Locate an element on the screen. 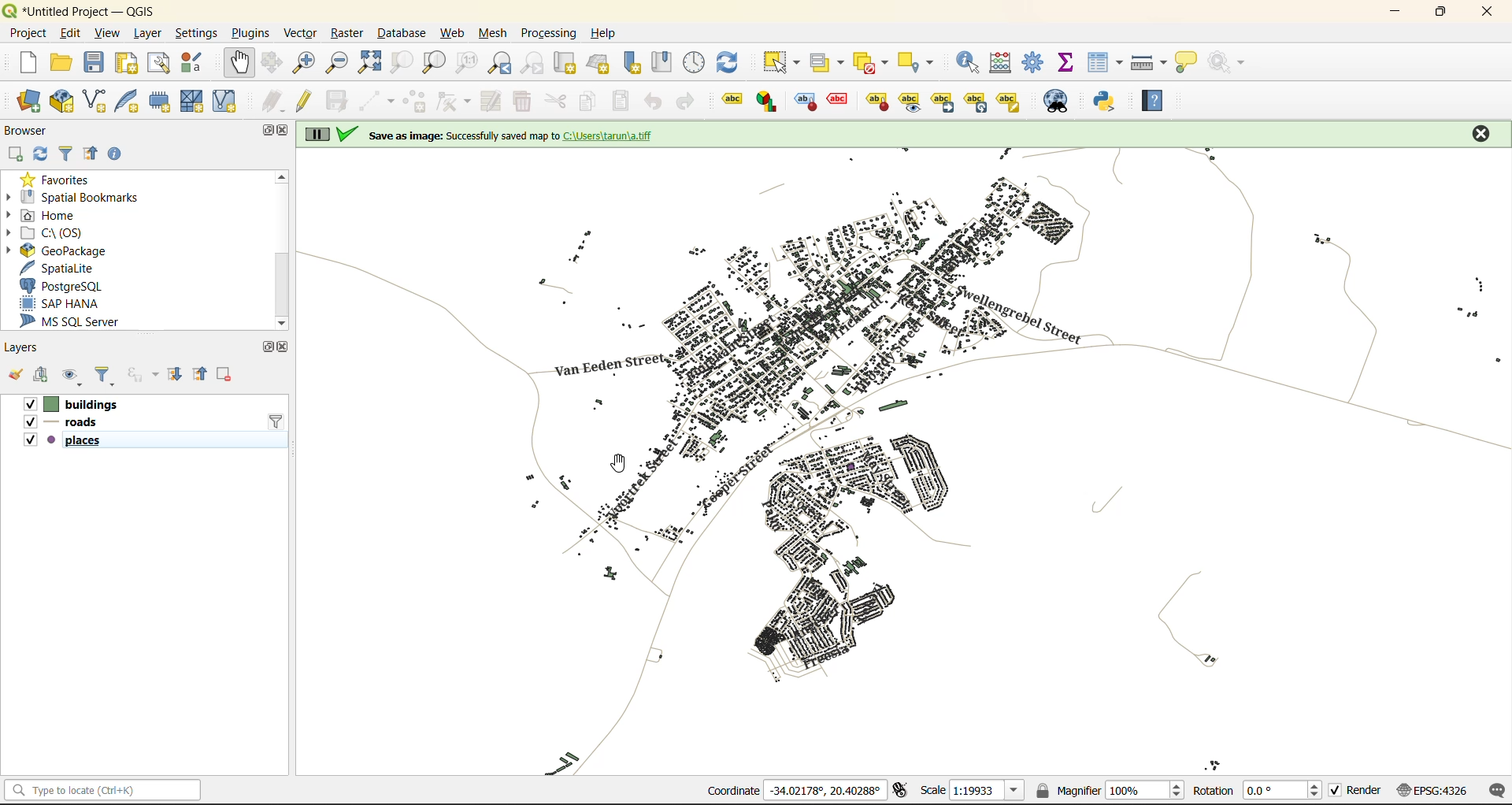  pan map is located at coordinates (240, 63).